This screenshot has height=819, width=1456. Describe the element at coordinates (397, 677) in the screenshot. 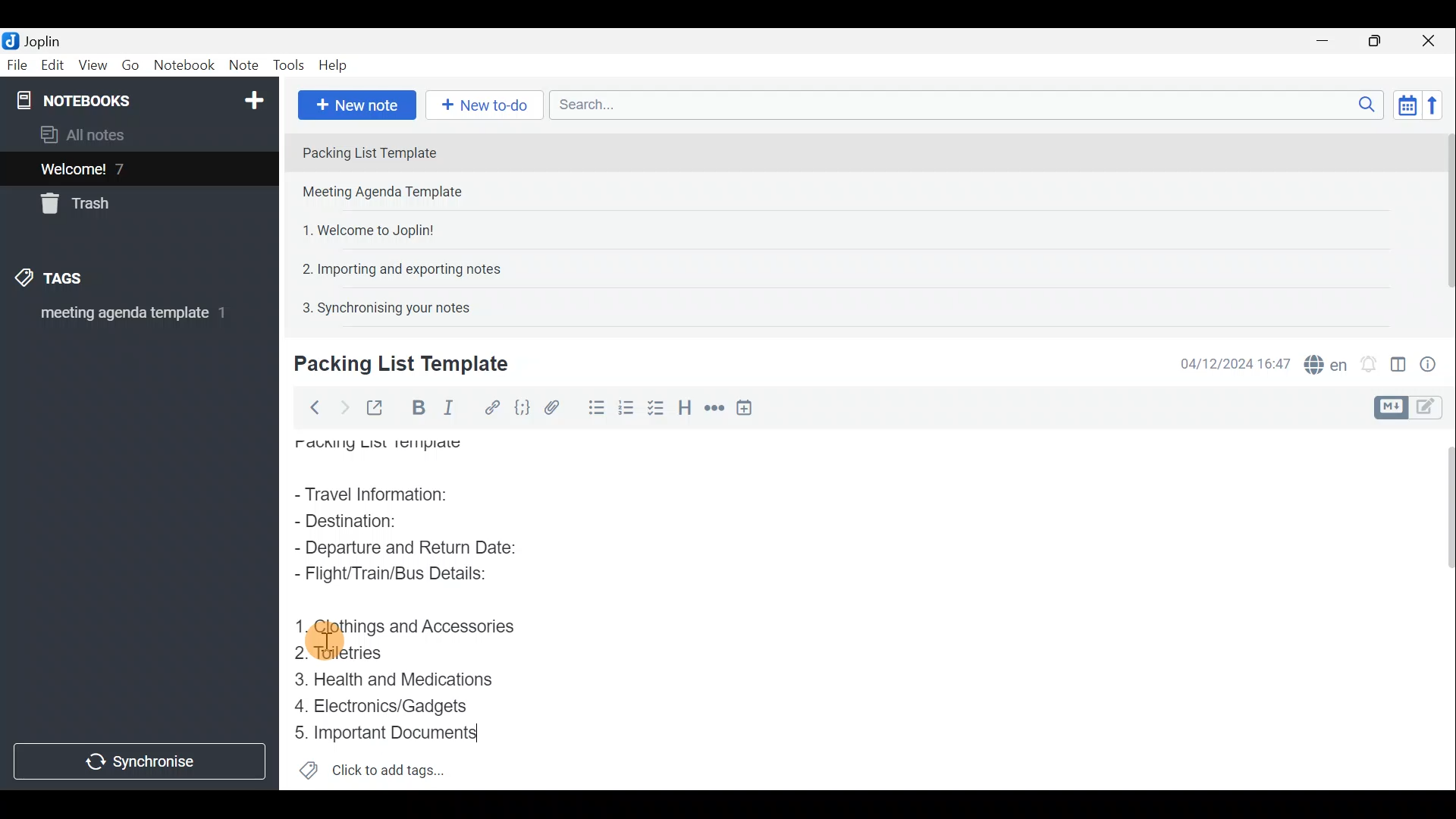

I see `Health and Medications` at that location.